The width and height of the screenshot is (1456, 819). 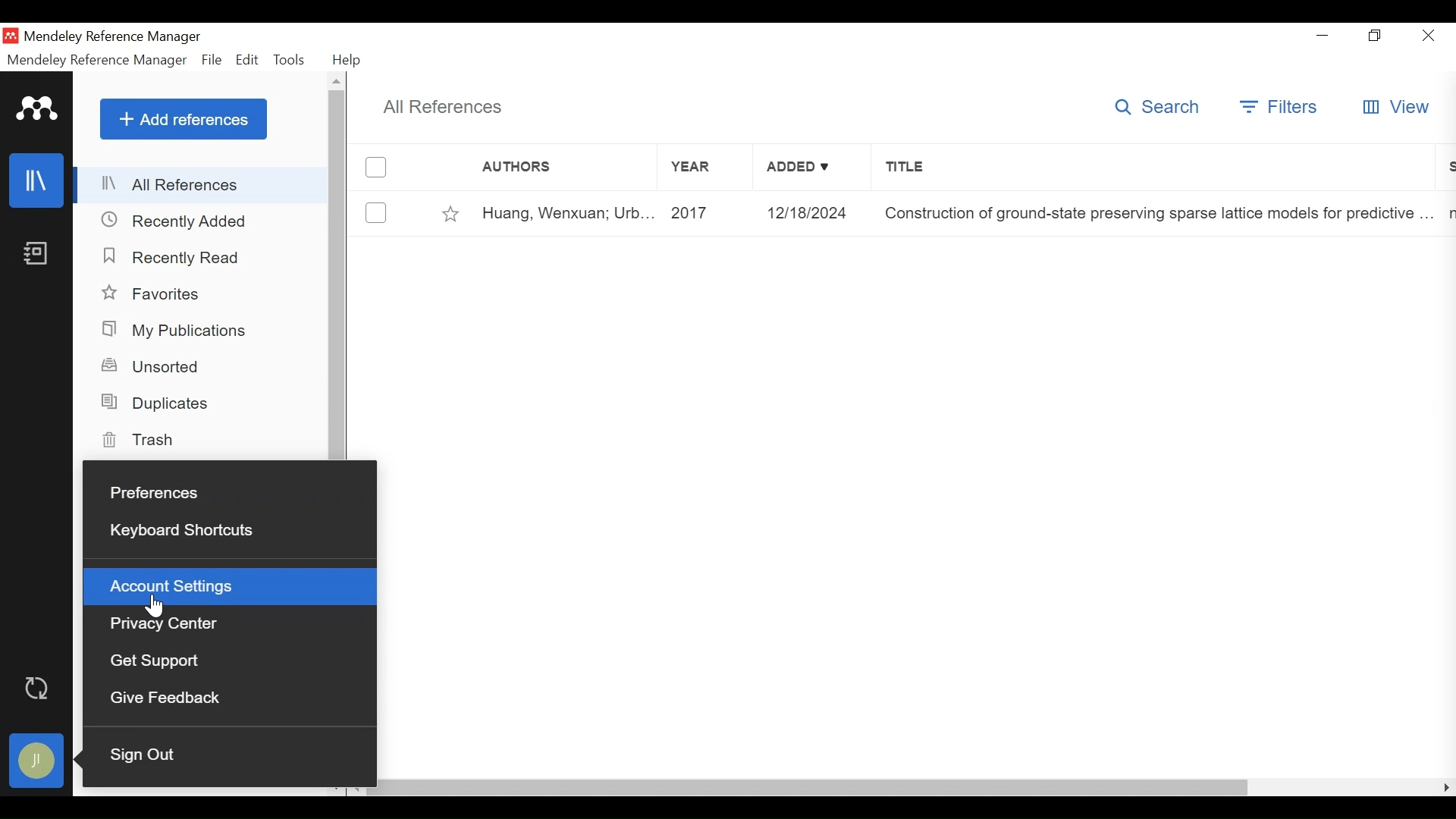 What do you see at coordinates (1377, 37) in the screenshot?
I see `Maximize` at bounding box center [1377, 37].